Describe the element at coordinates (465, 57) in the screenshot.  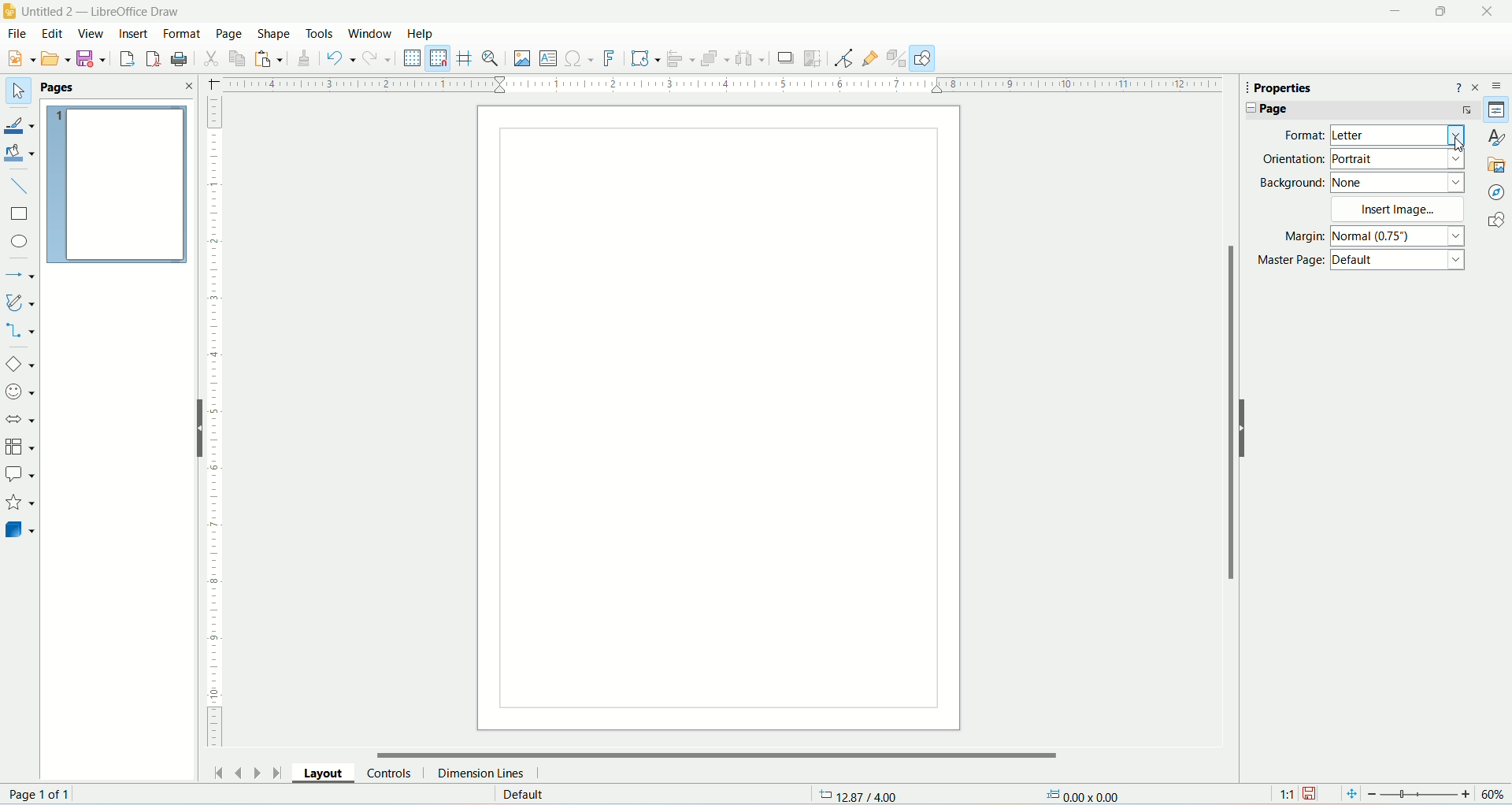
I see `helplines while moving` at that location.